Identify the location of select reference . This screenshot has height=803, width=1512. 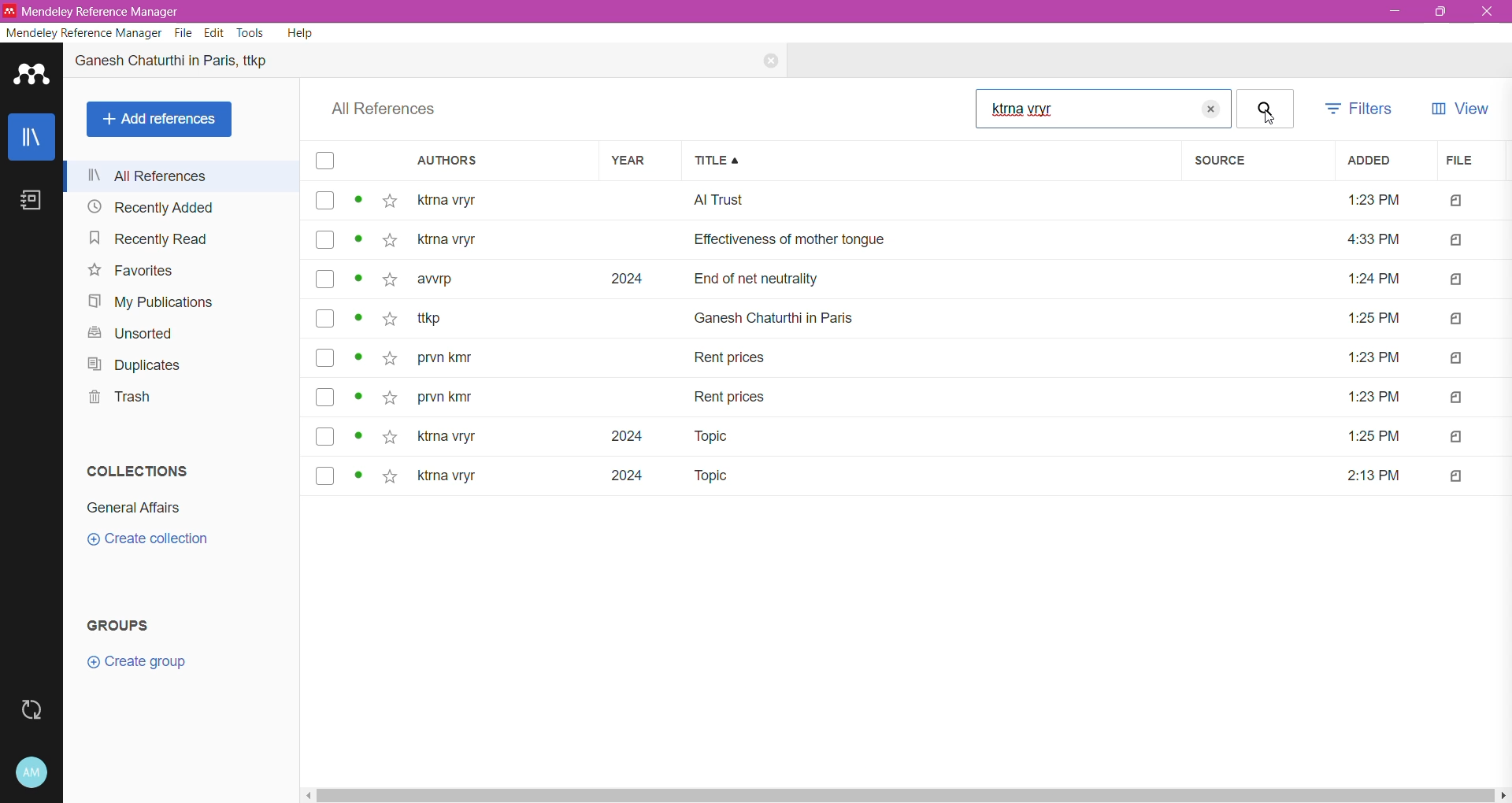
(324, 240).